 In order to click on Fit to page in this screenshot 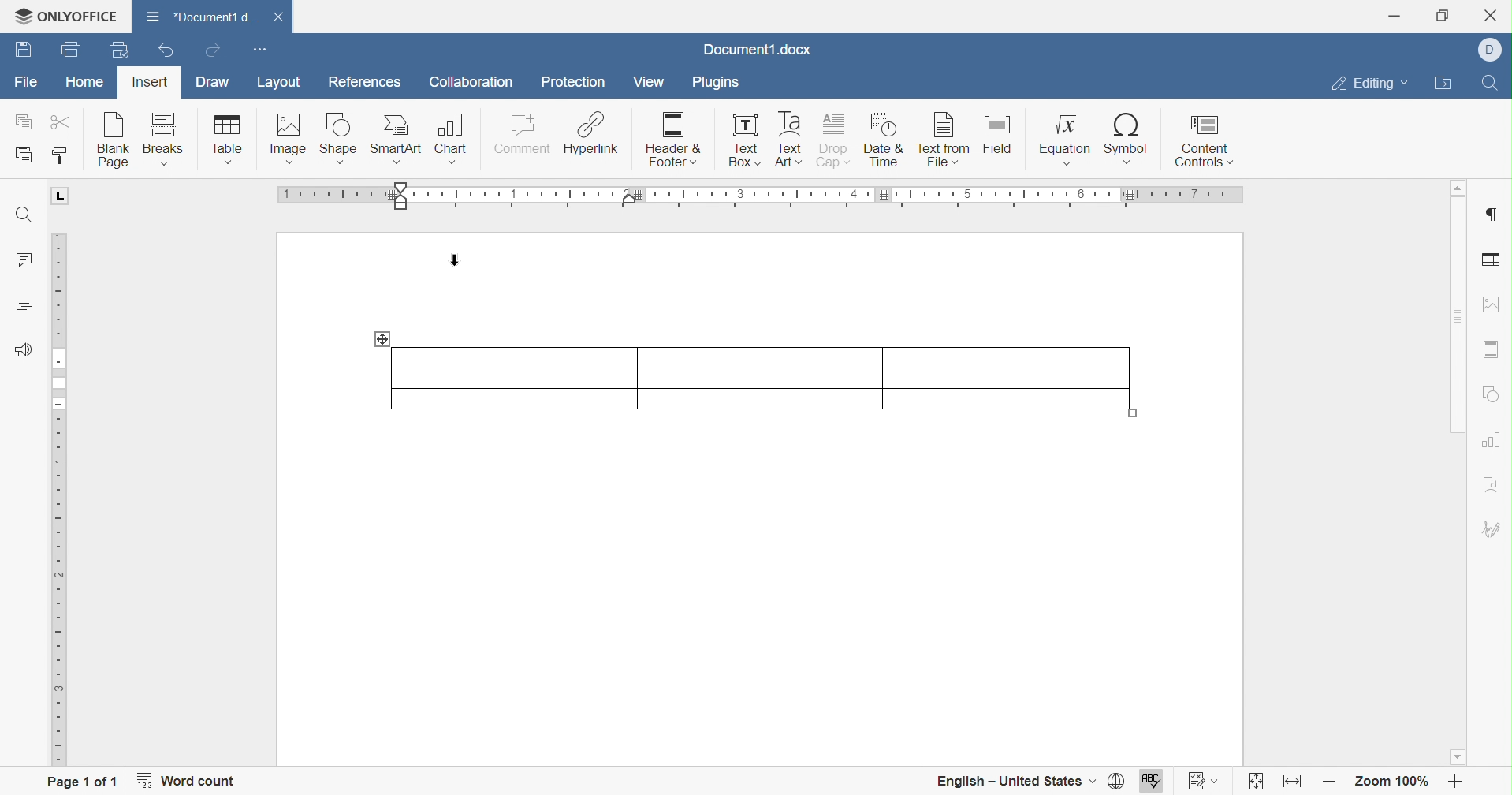, I will do `click(1256, 780)`.